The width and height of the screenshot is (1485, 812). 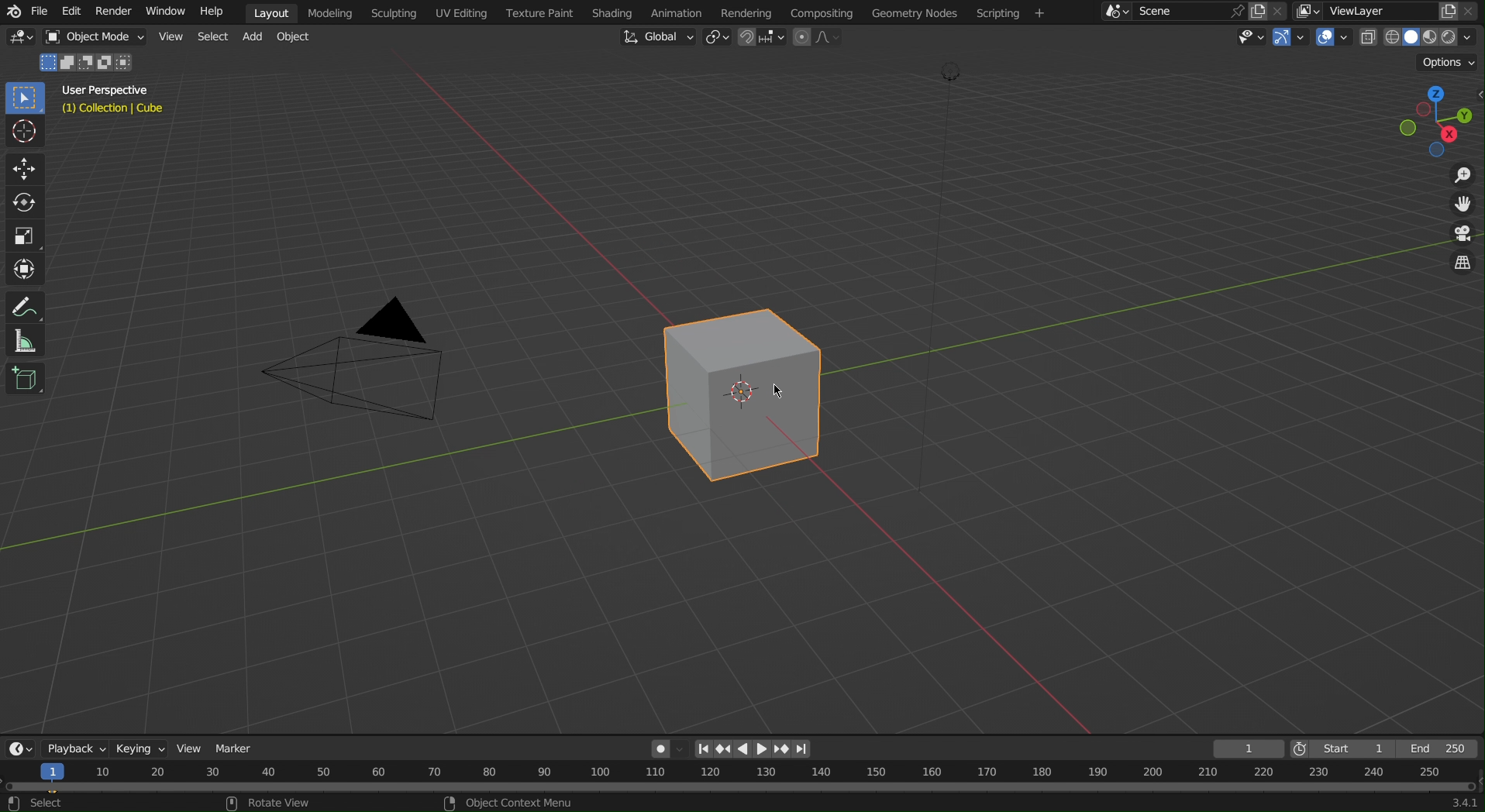 I want to click on Window, so click(x=167, y=13).